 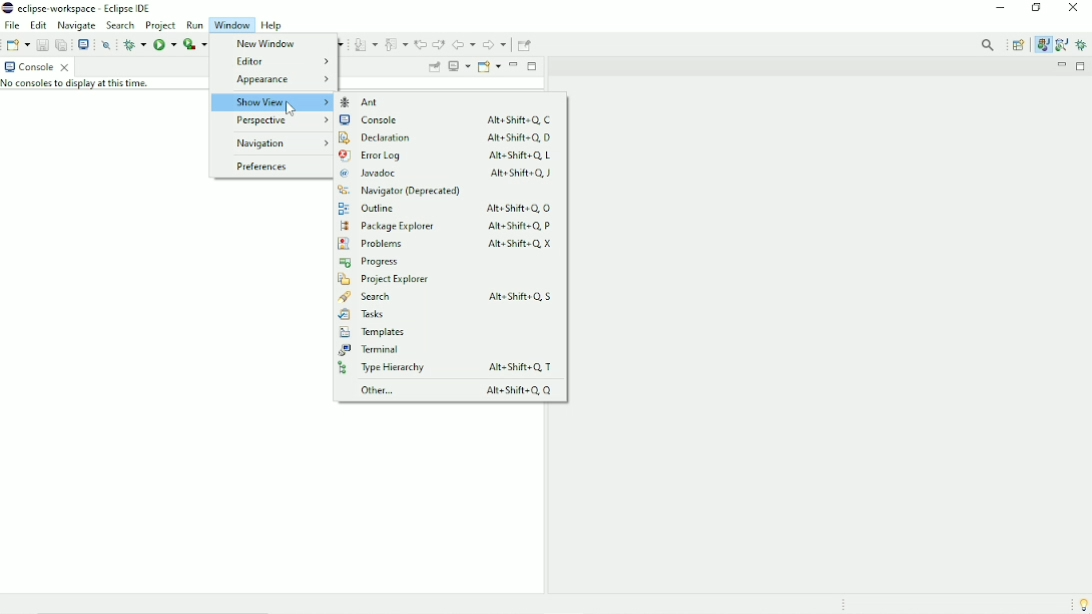 I want to click on Ant, so click(x=369, y=102).